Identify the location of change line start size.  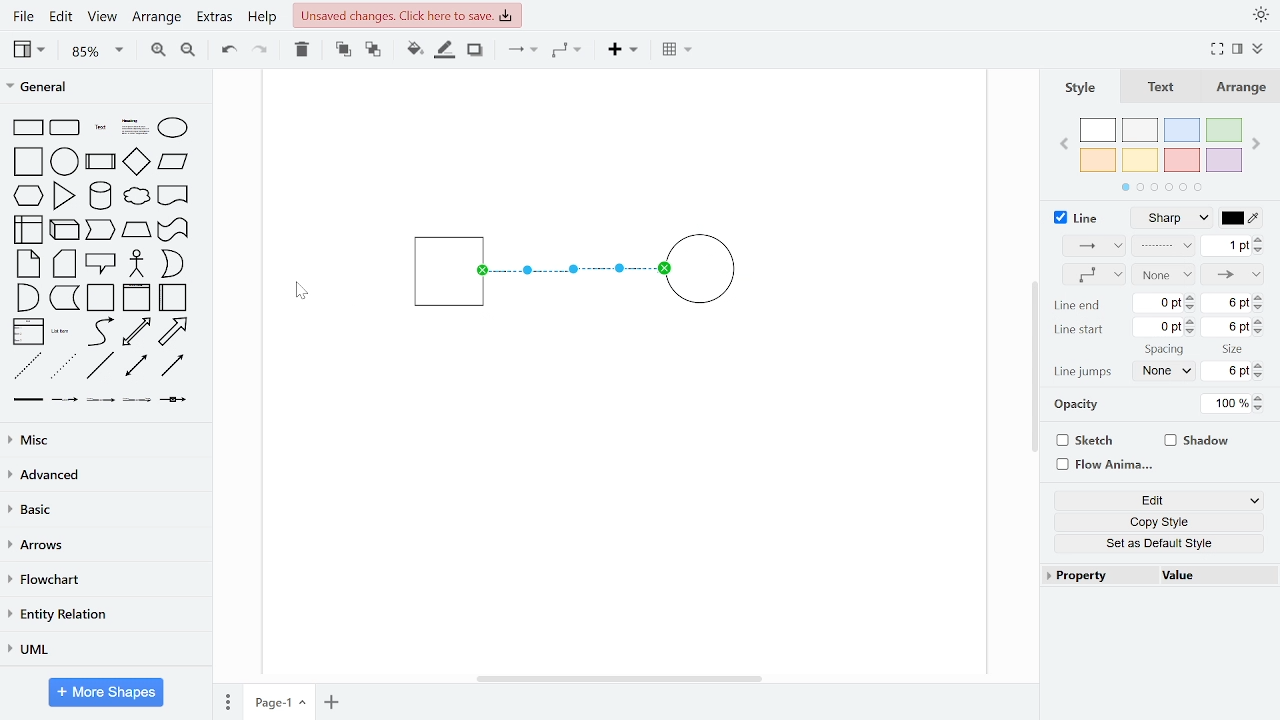
(1232, 325).